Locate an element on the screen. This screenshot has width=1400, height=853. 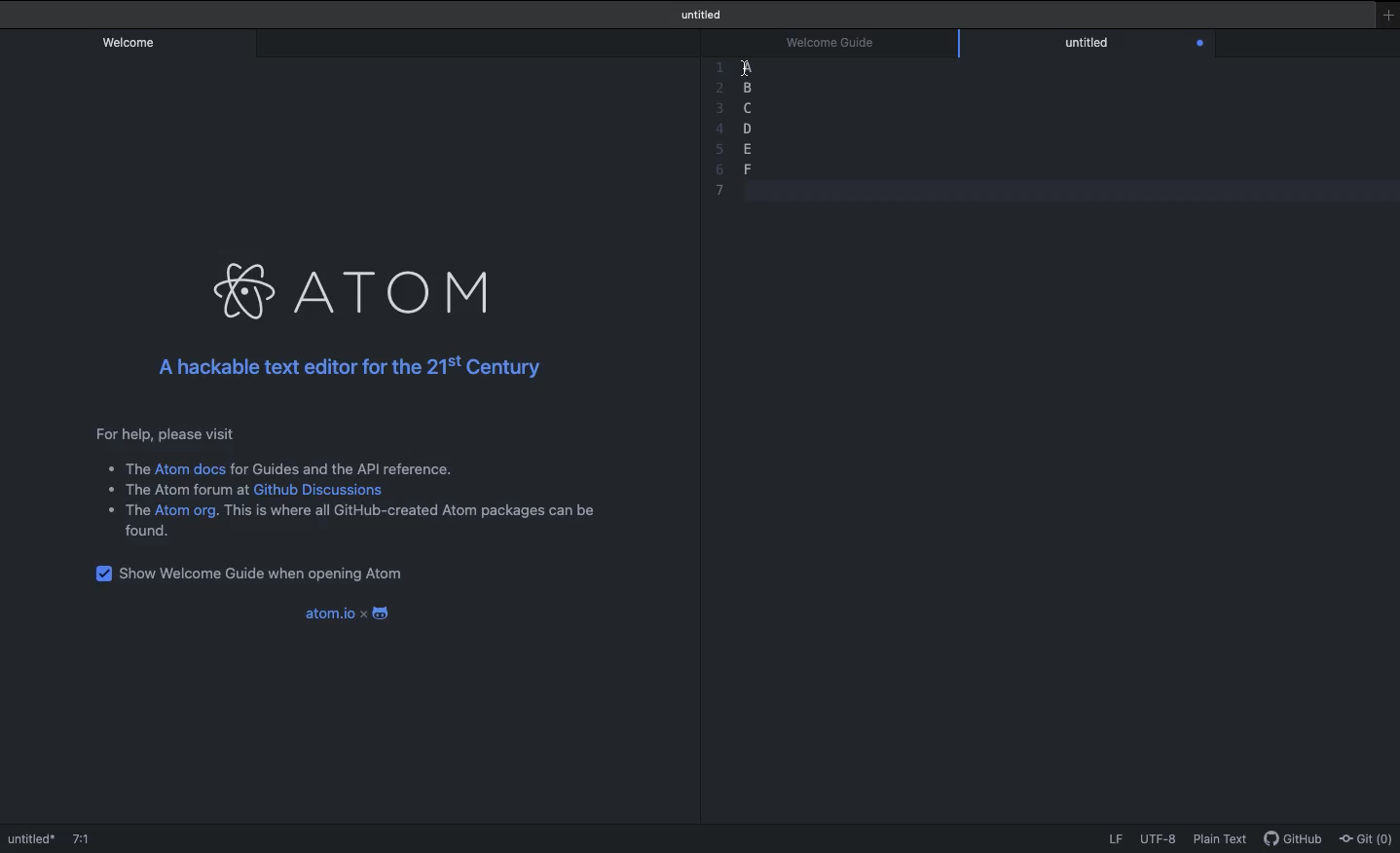
Close is located at coordinates (1200, 44).